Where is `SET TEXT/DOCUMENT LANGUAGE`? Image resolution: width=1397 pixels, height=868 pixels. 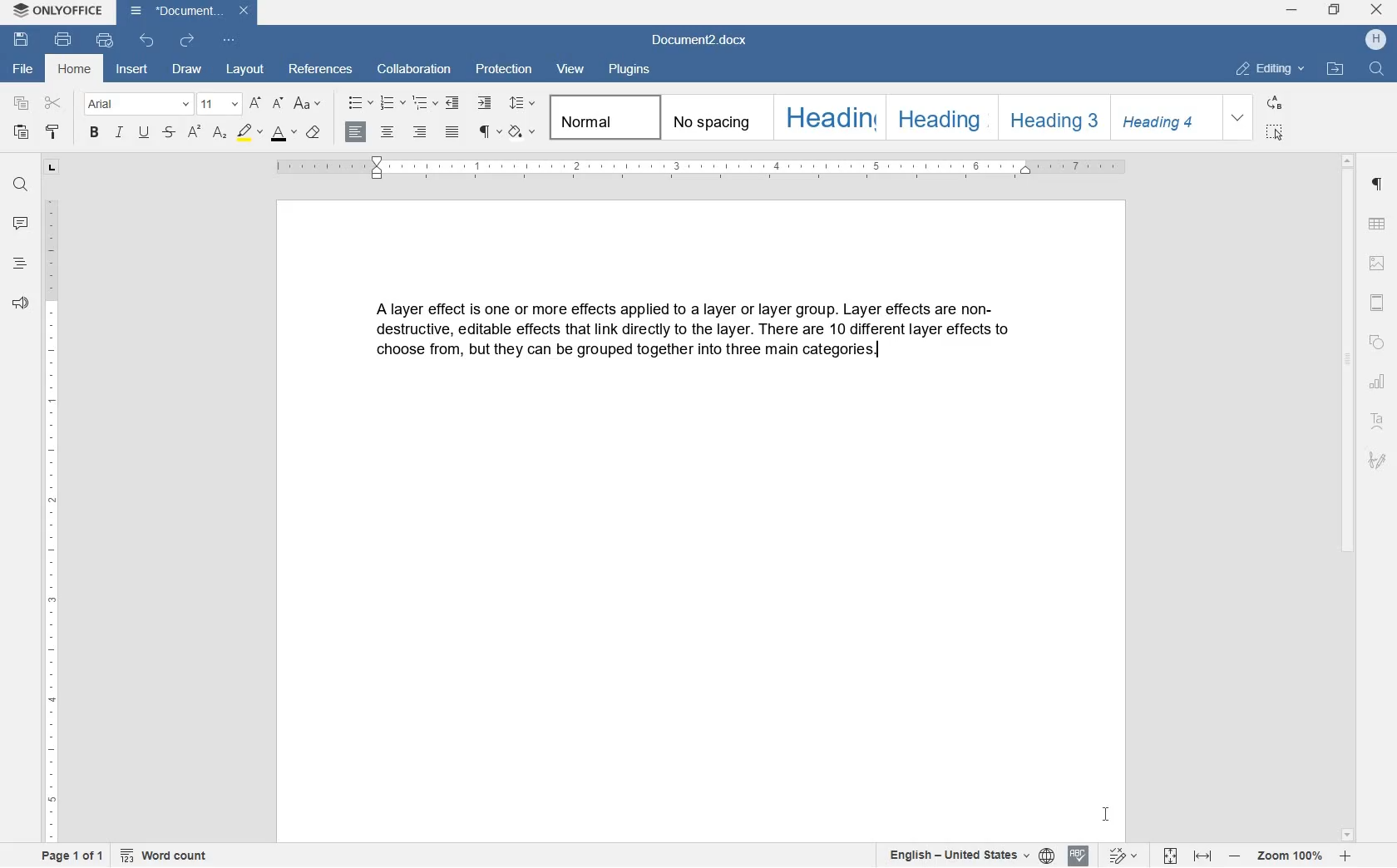
SET TEXT/DOCUMENT LANGUAGE is located at coordinates (967, 856).